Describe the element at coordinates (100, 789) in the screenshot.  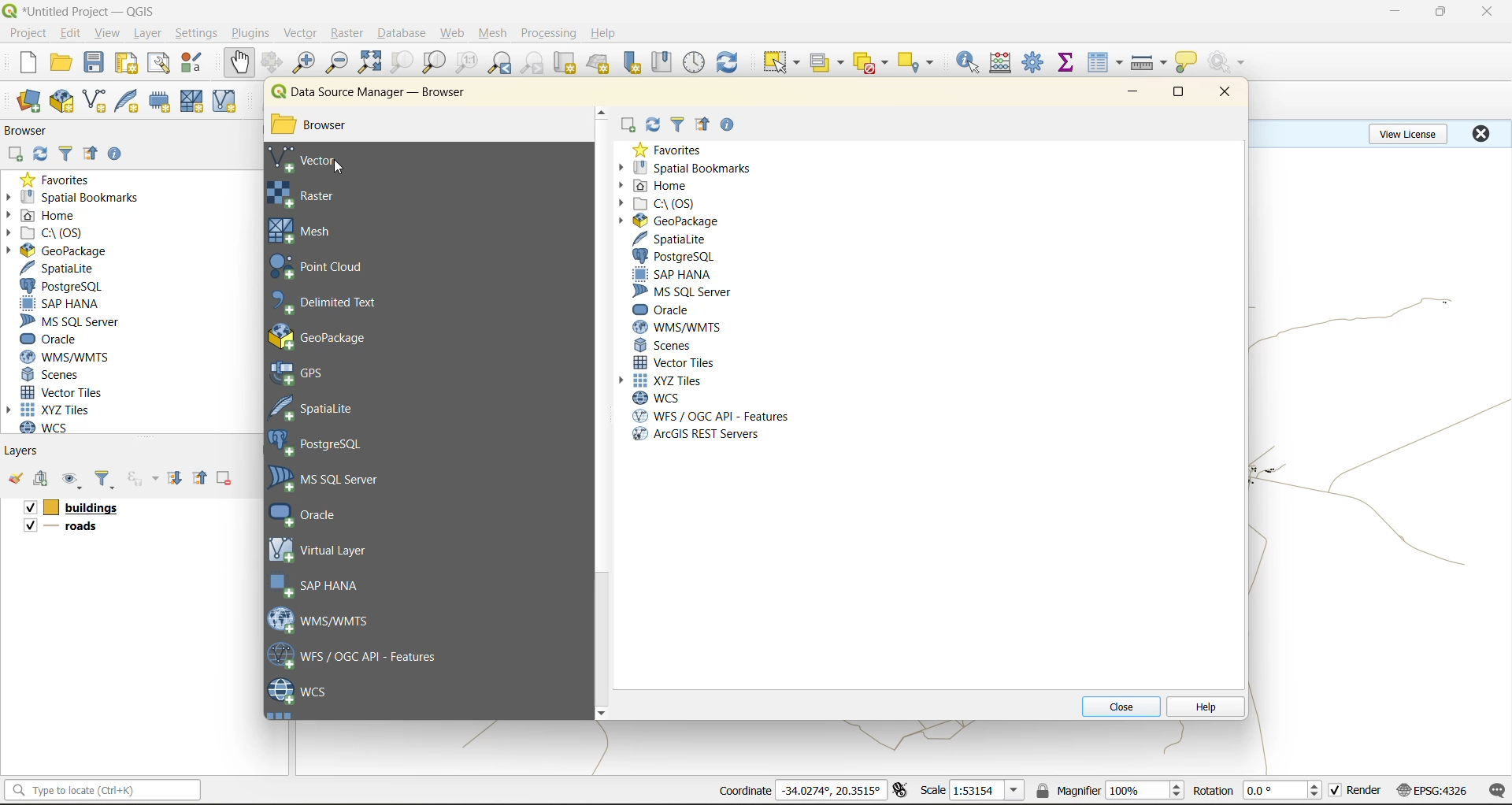
I see `status bar` at that location.